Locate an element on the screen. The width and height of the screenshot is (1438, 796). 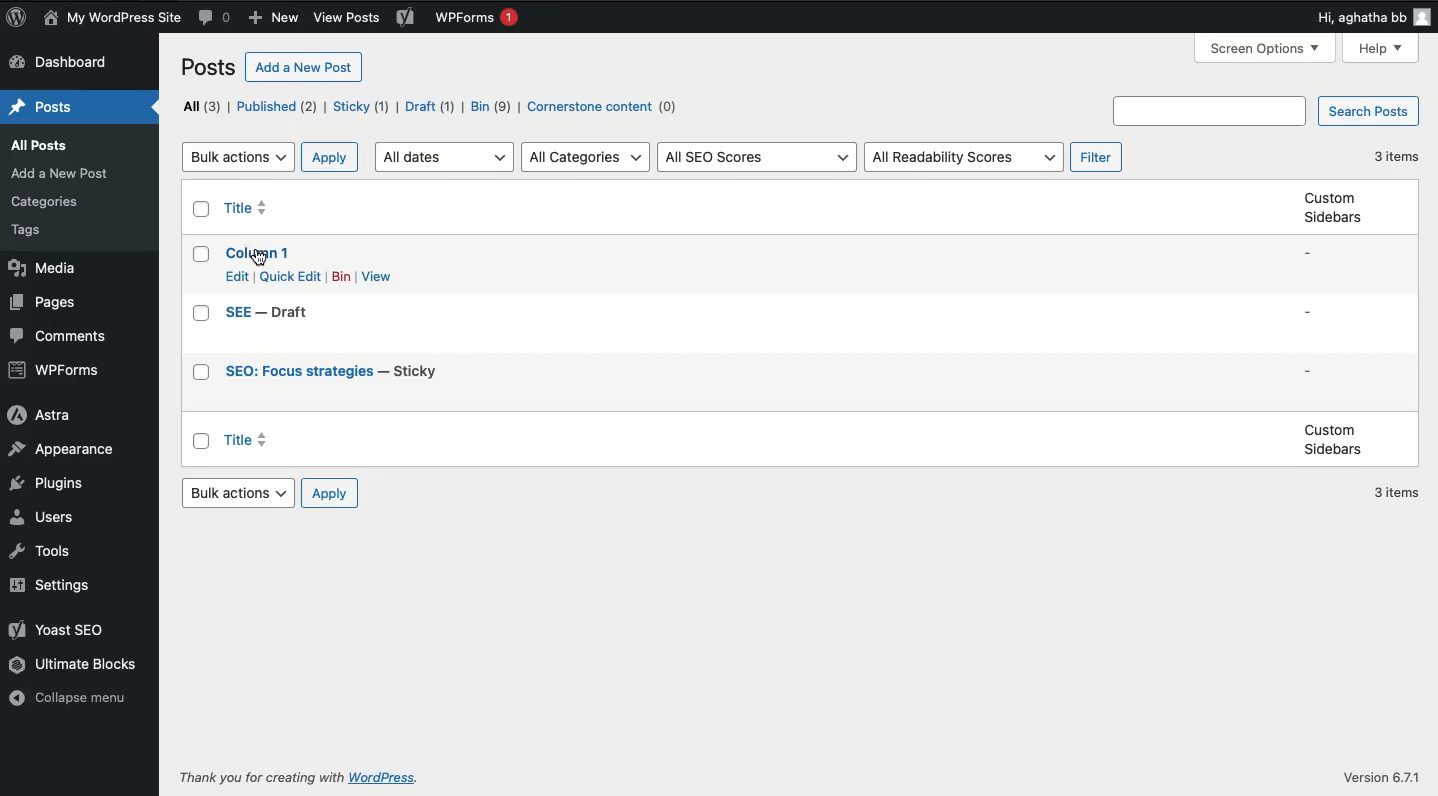
Title is located at coordinates (246, 440).